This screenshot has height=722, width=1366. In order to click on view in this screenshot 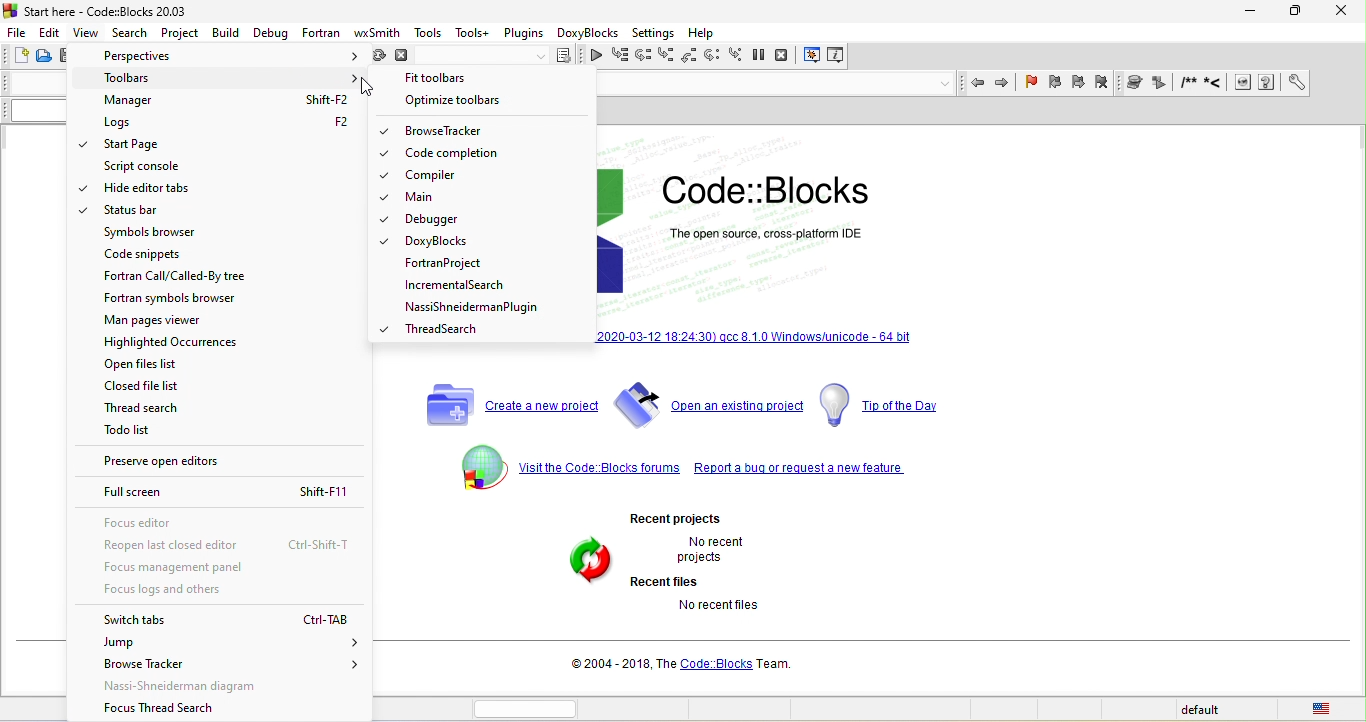, I will do `click(87, 34)`.